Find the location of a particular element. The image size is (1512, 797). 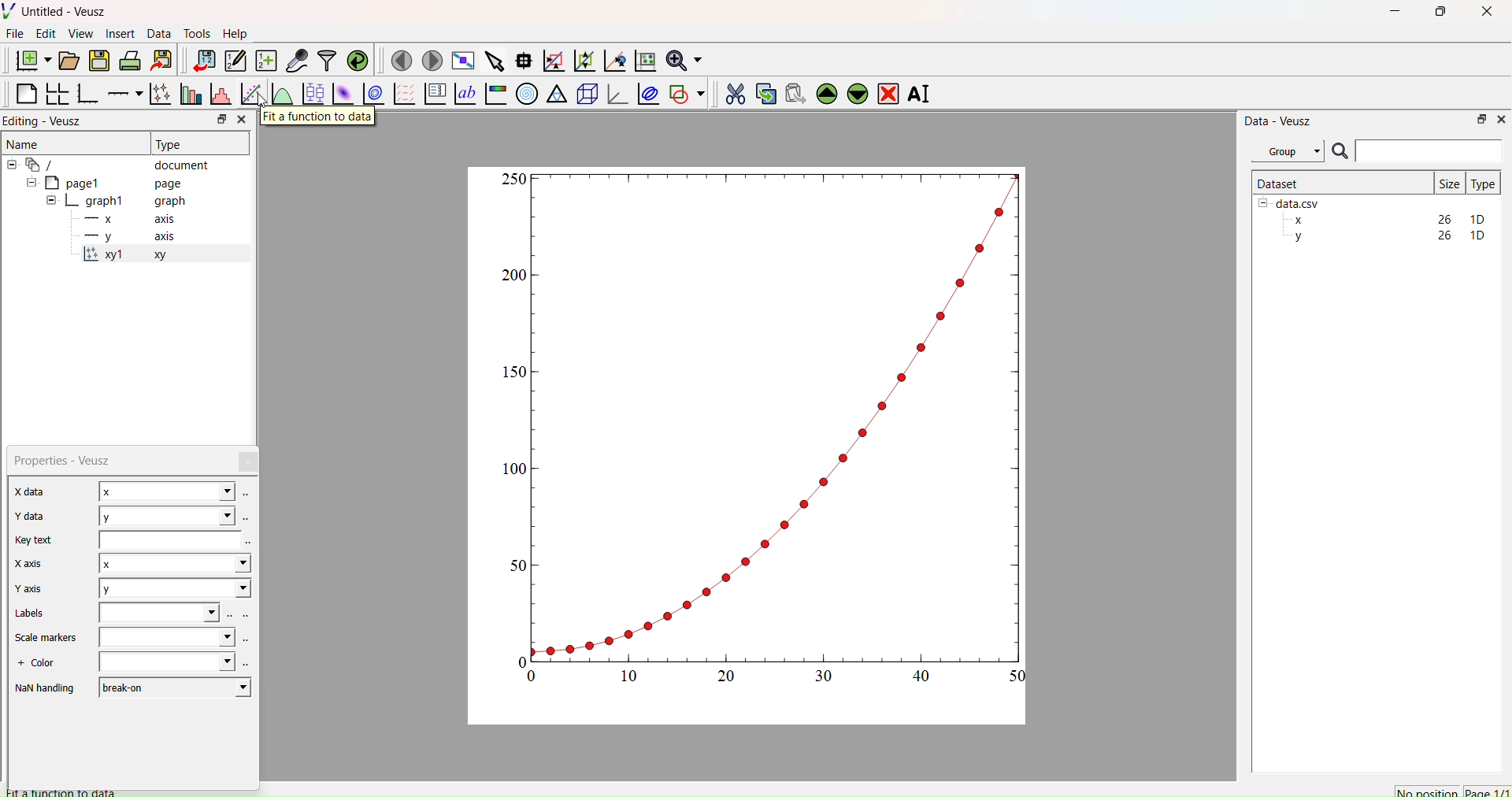

Capture remote data is located at coordinates (297, 61).